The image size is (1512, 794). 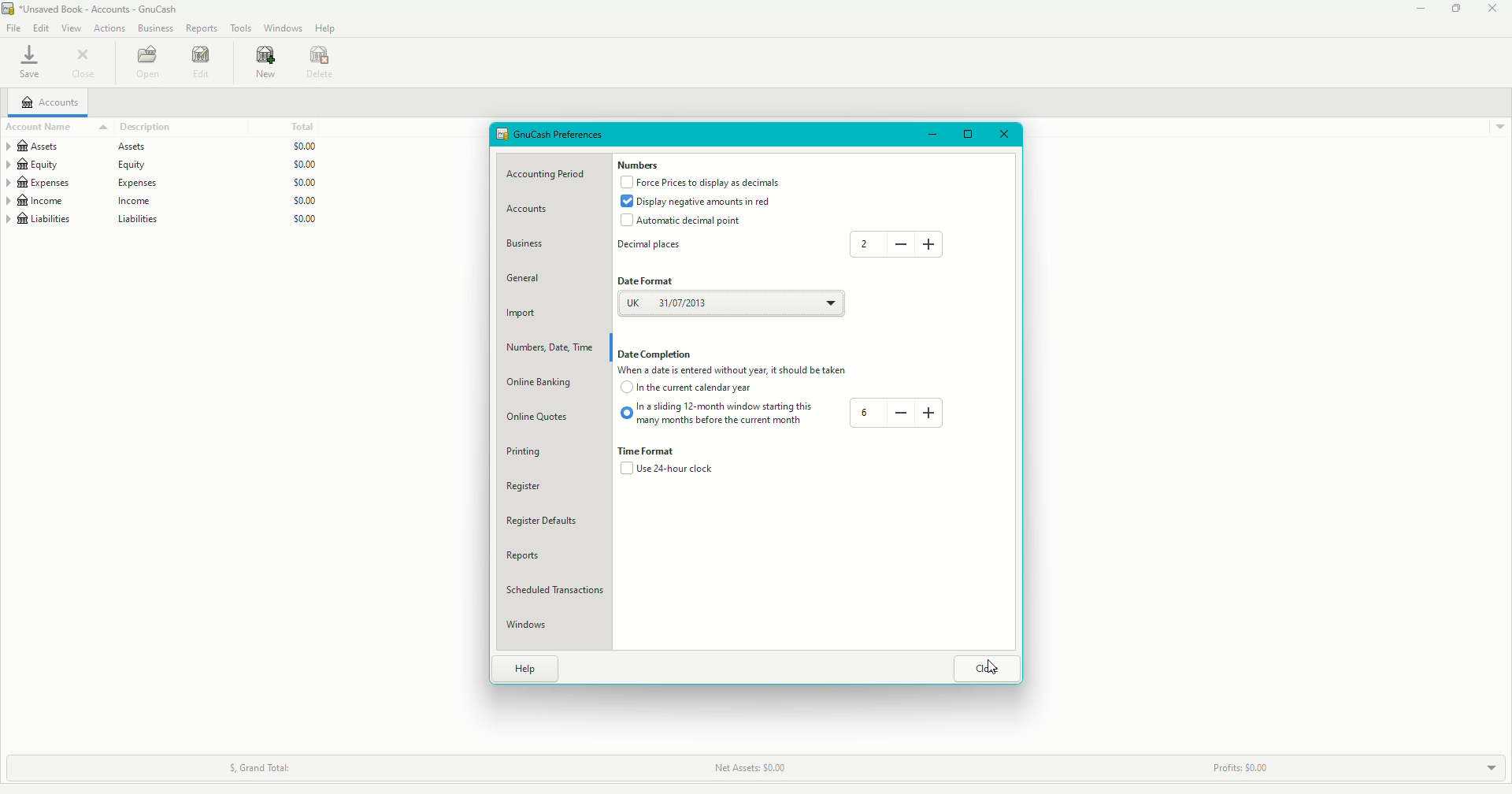 I want to click on 2, so click(x=862, y=243).